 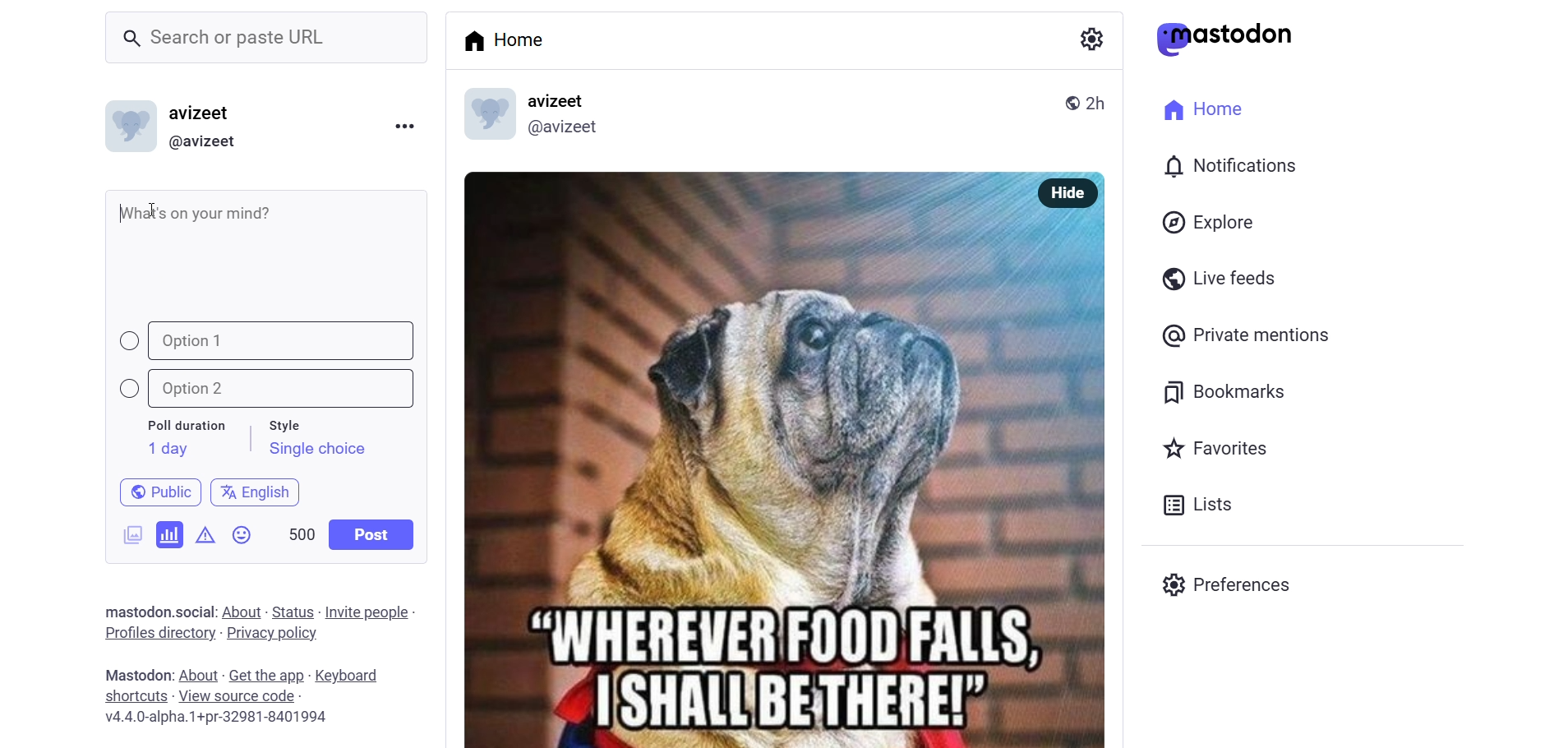 I want to click on option 1, so click(x=269, y=341).